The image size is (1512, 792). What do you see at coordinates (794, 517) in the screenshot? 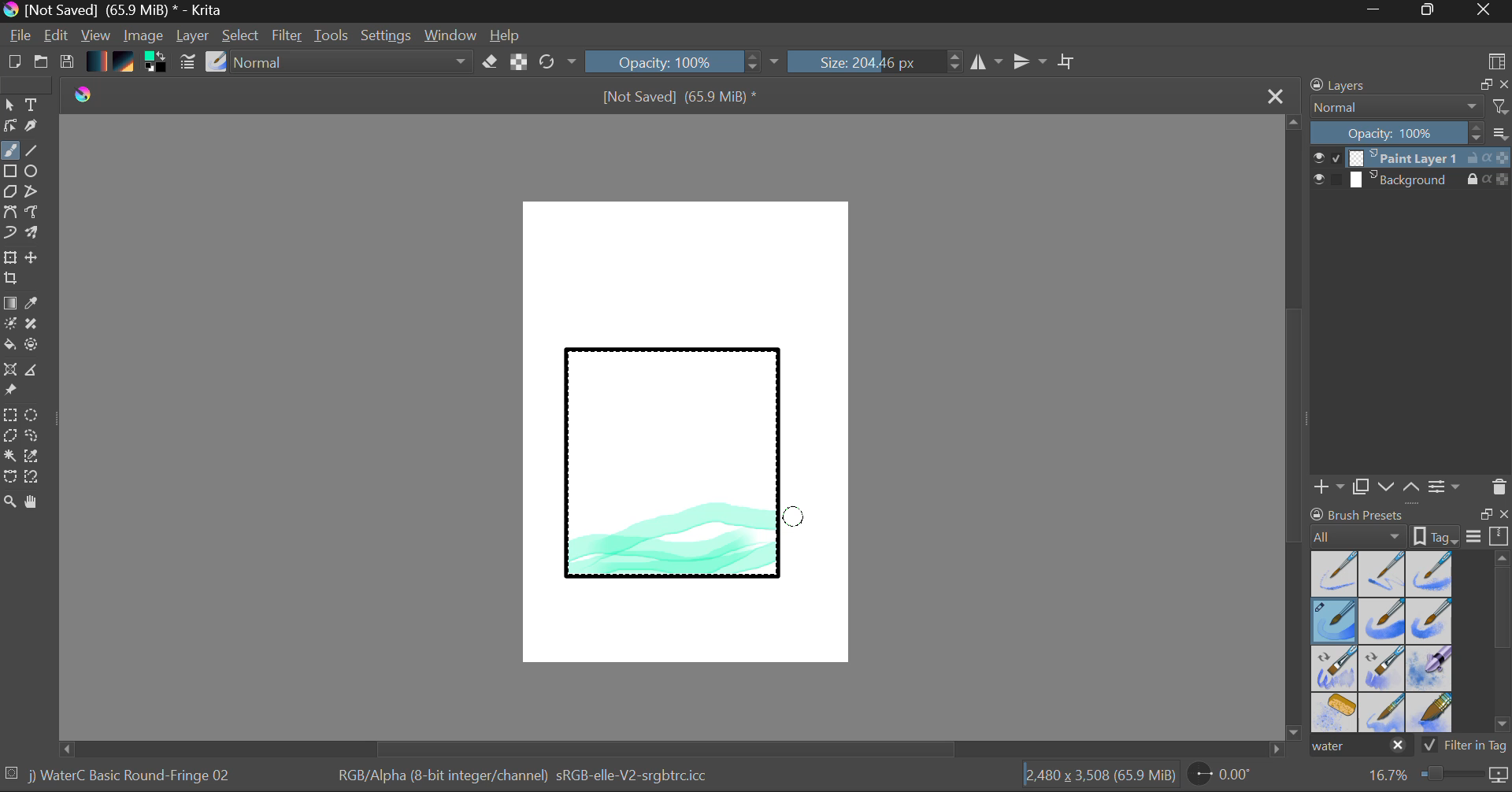
I see `DRAG_TO Stroke 4` at bounding box center [794, 517].